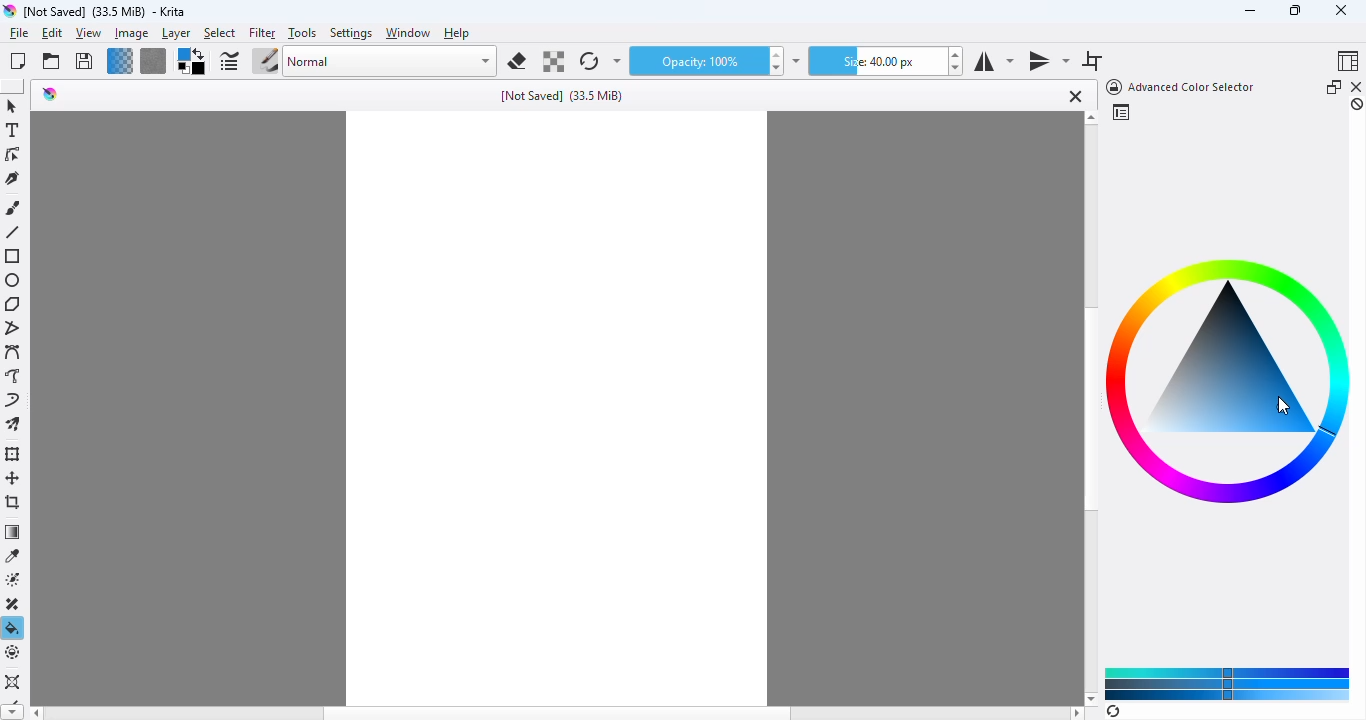 Image resolution: width=1366 pixels, height=720 pixels. Describe the element at coordinates (14, 256) in the screenshot. I see `rectangle tool` at that location.